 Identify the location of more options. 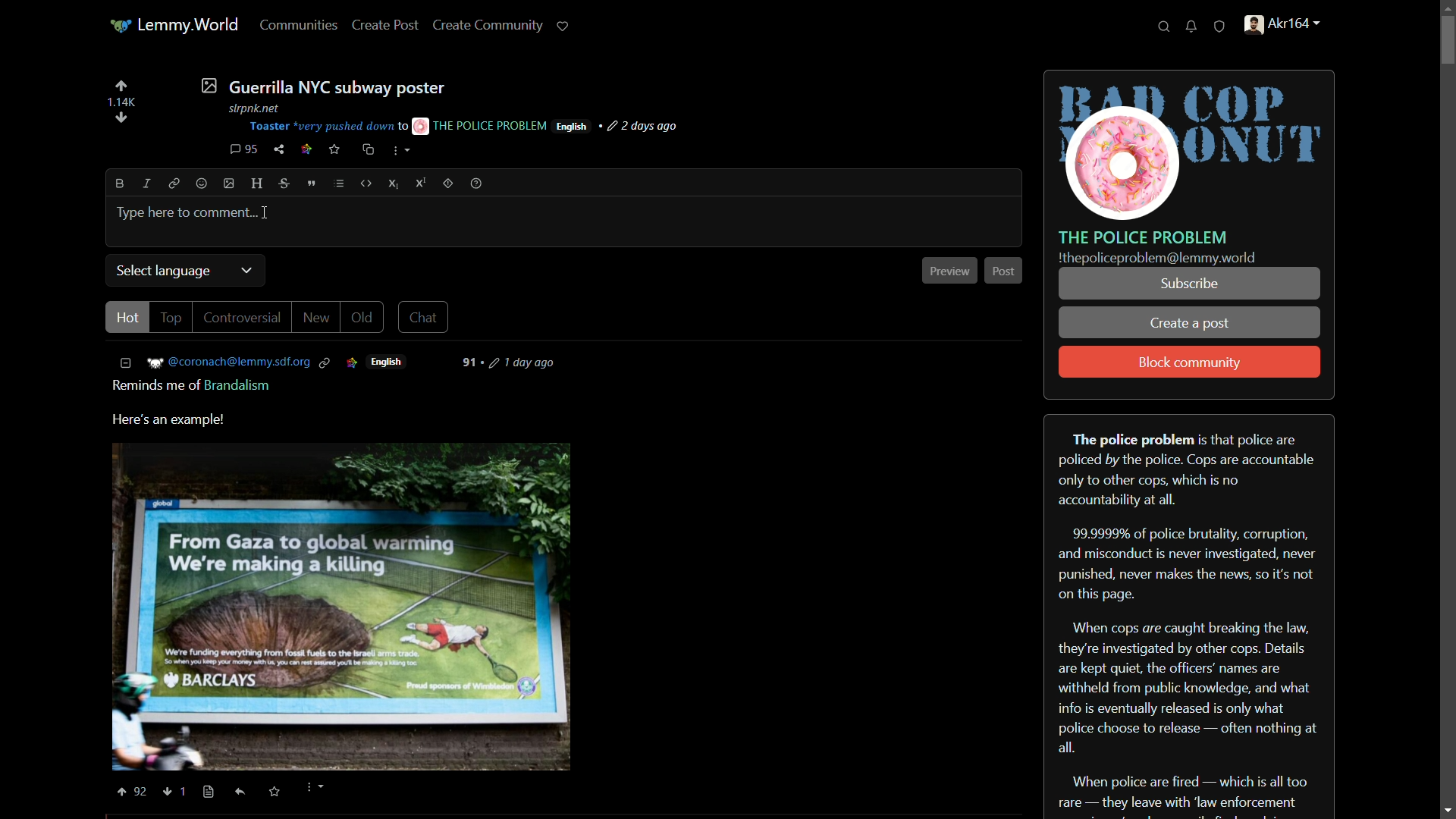
(313, 789).